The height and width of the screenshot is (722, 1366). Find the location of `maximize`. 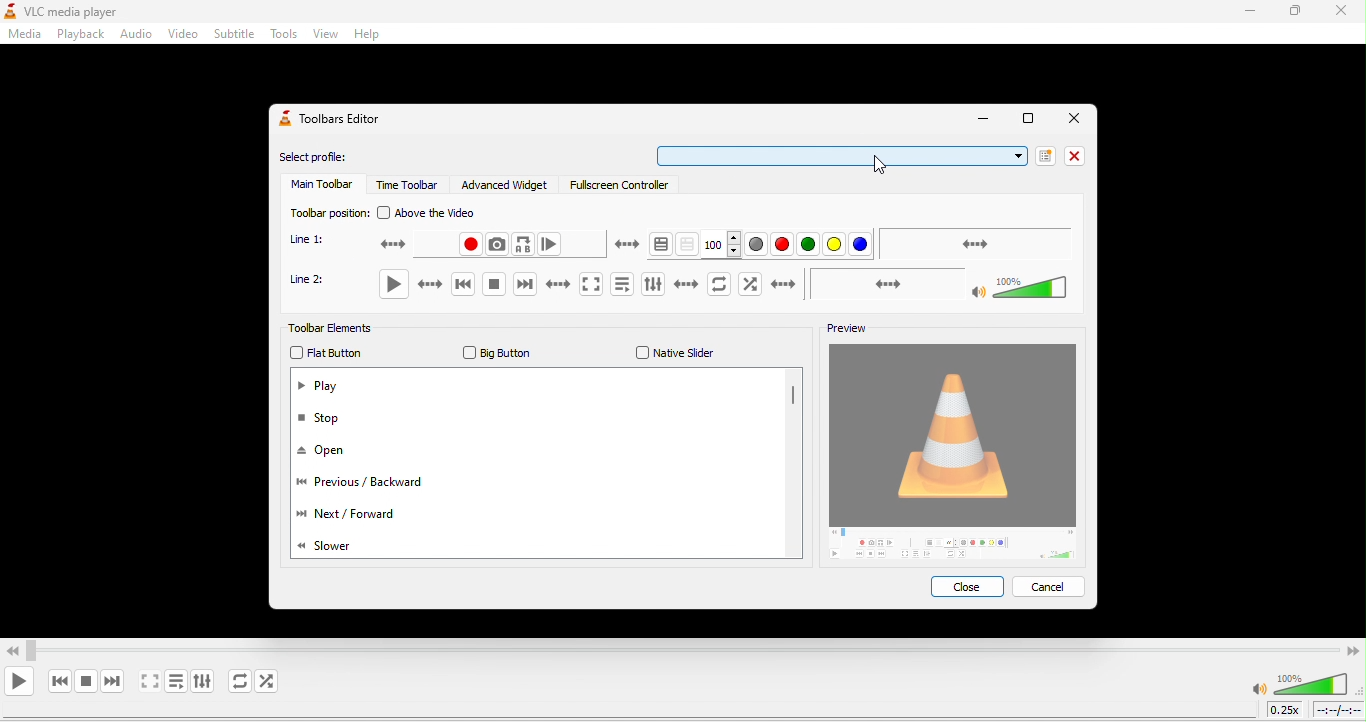

maximize is located at coordinates (1025, 118).